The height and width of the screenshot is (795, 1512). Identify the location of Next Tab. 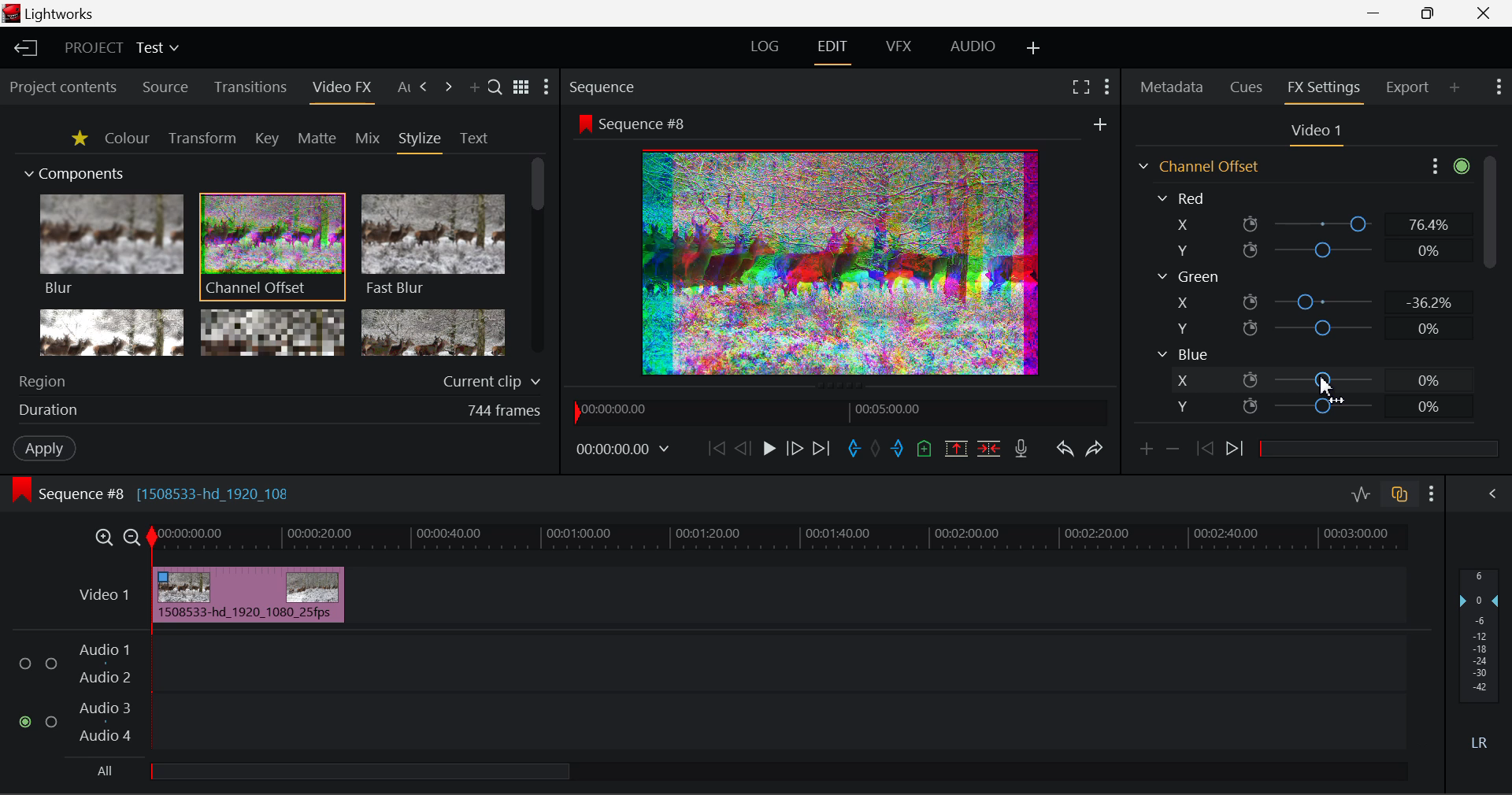
(448, 87).